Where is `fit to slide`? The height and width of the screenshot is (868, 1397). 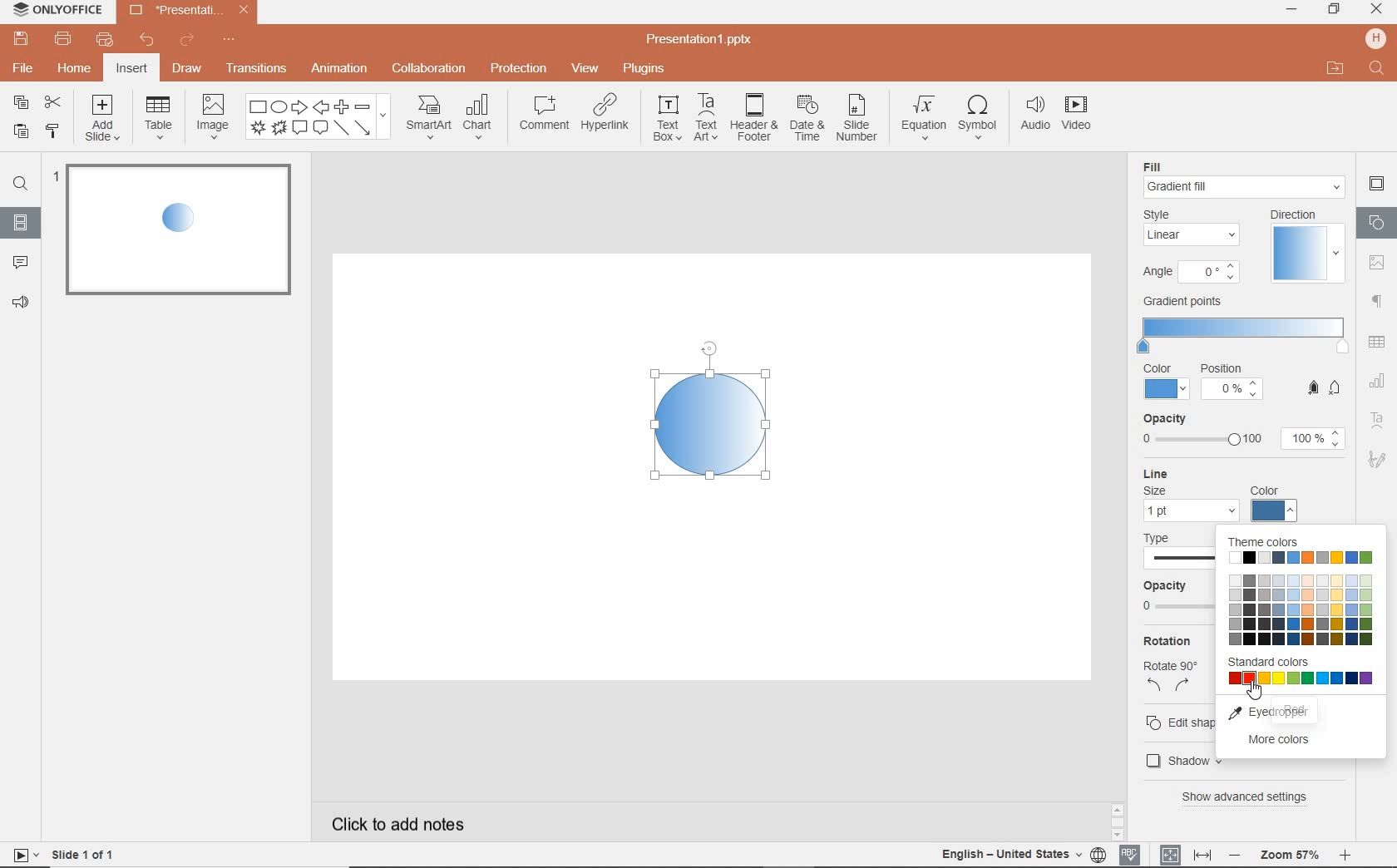
fit to slide is located at coordinates (1171, 854).